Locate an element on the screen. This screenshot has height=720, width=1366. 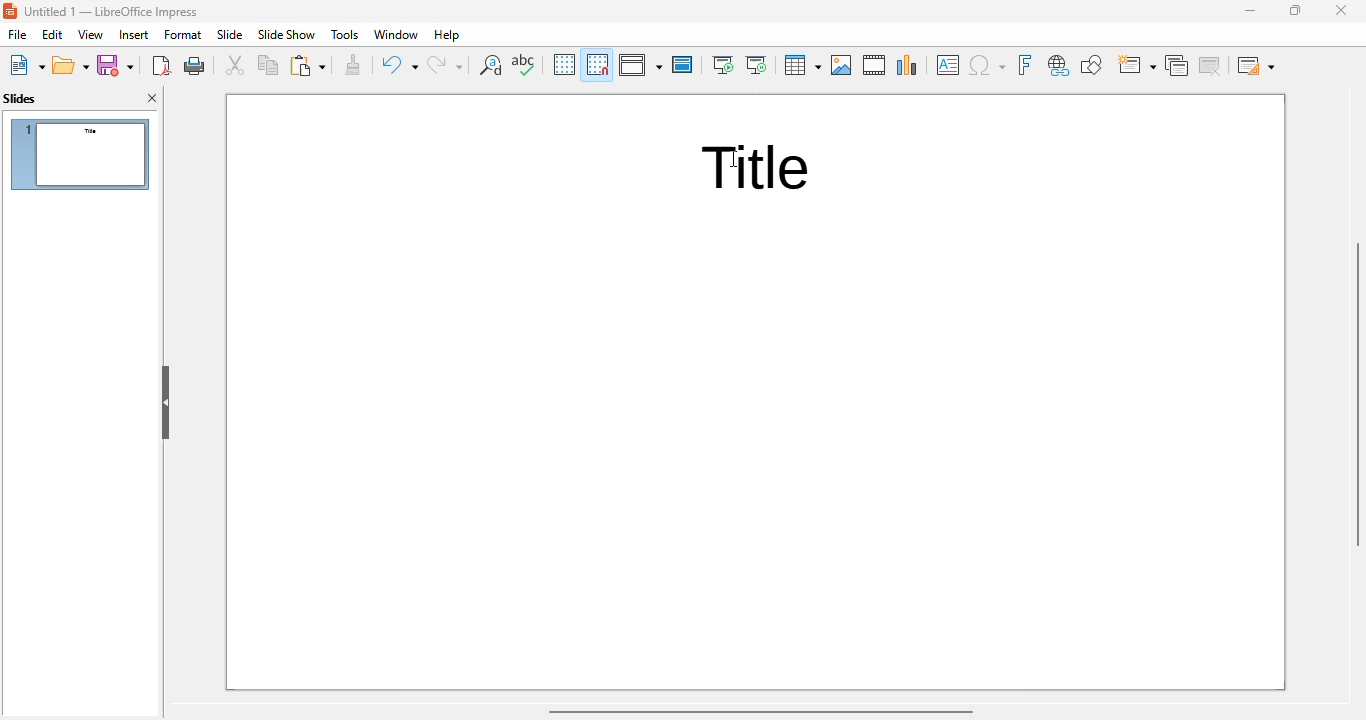
window is located at coordinates (397, 34).